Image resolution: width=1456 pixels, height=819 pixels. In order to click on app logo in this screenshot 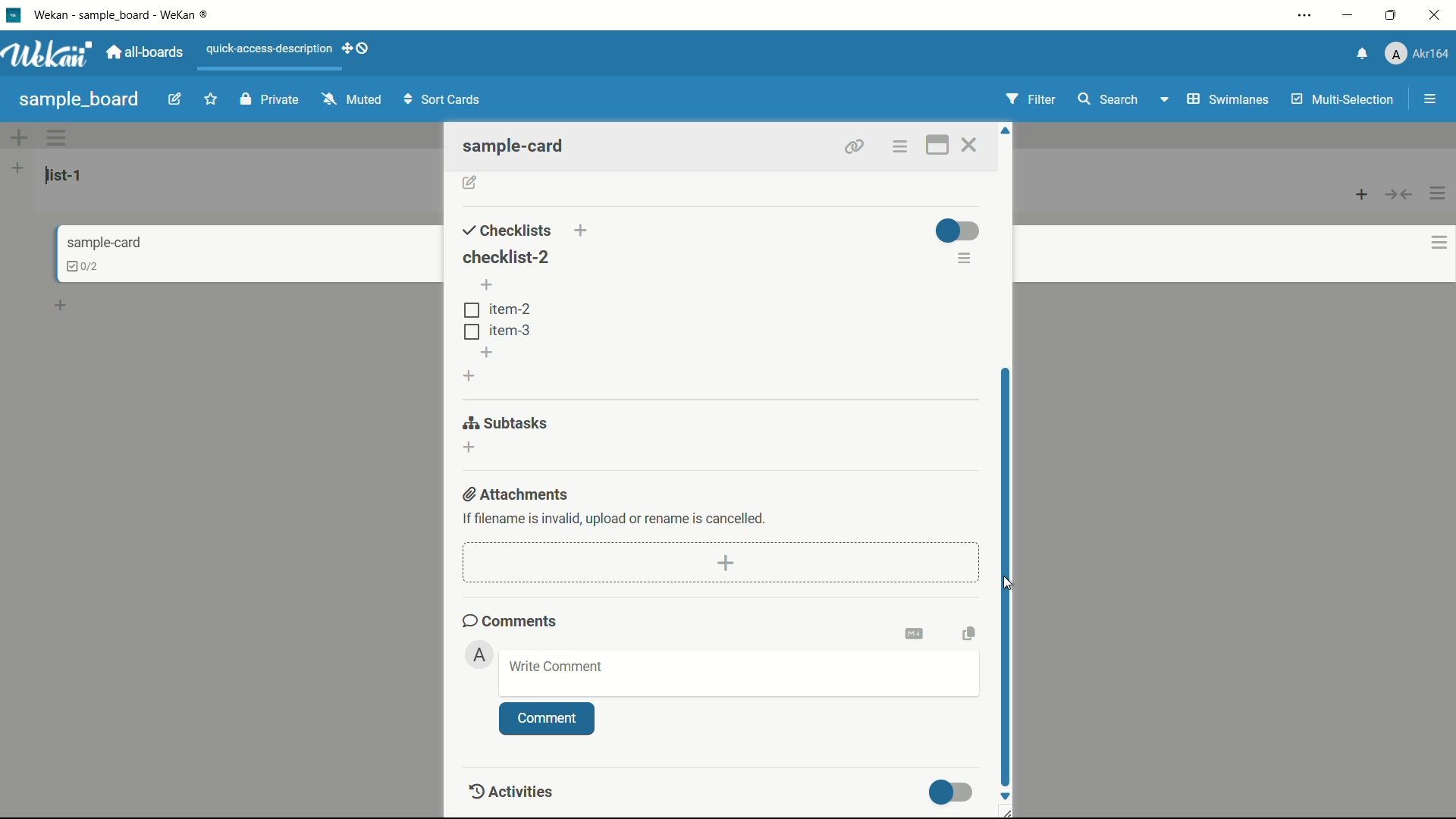, I will do `click(52, 55)`.